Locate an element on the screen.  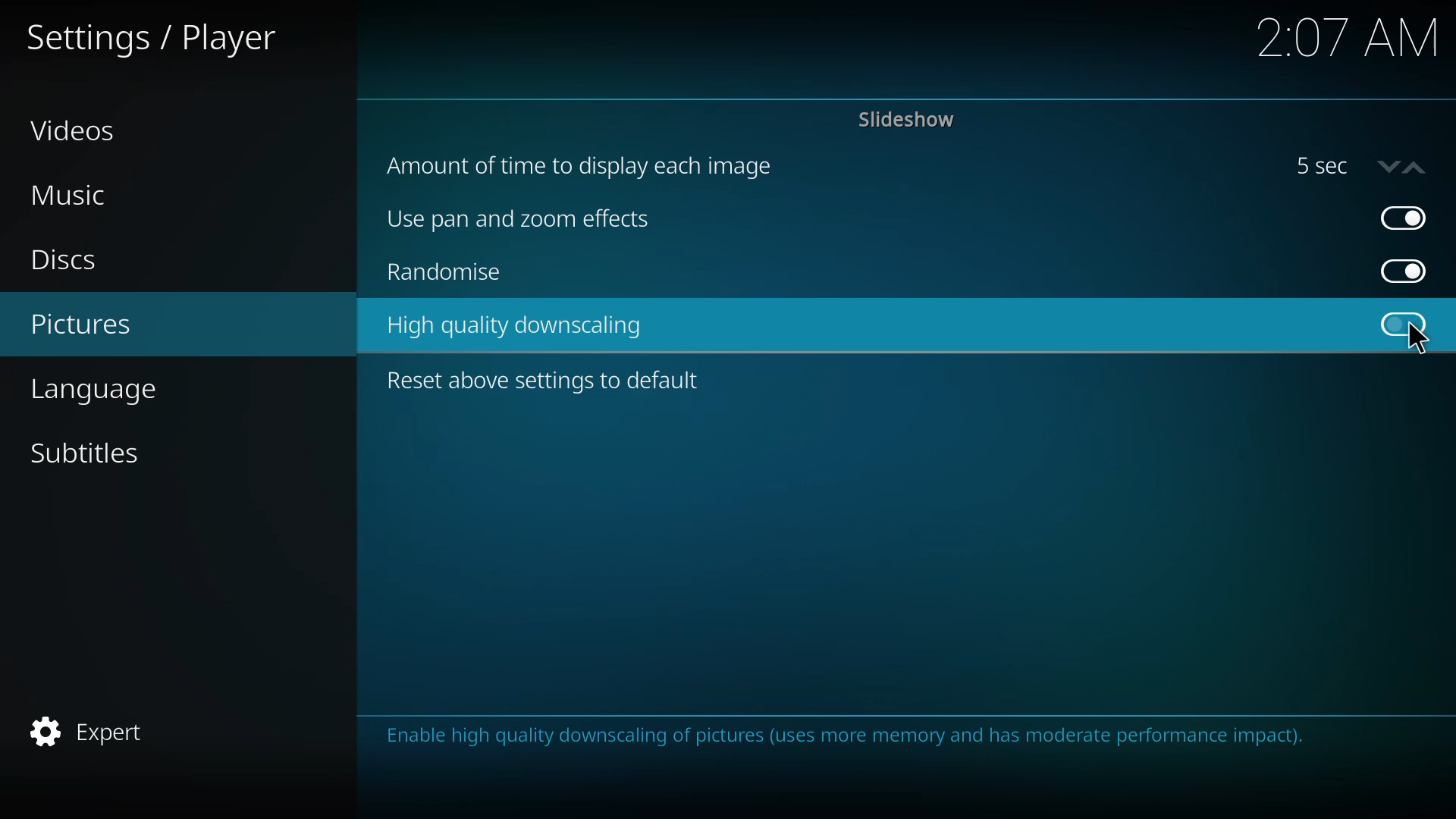
time is located at coordinates (1350, 39).